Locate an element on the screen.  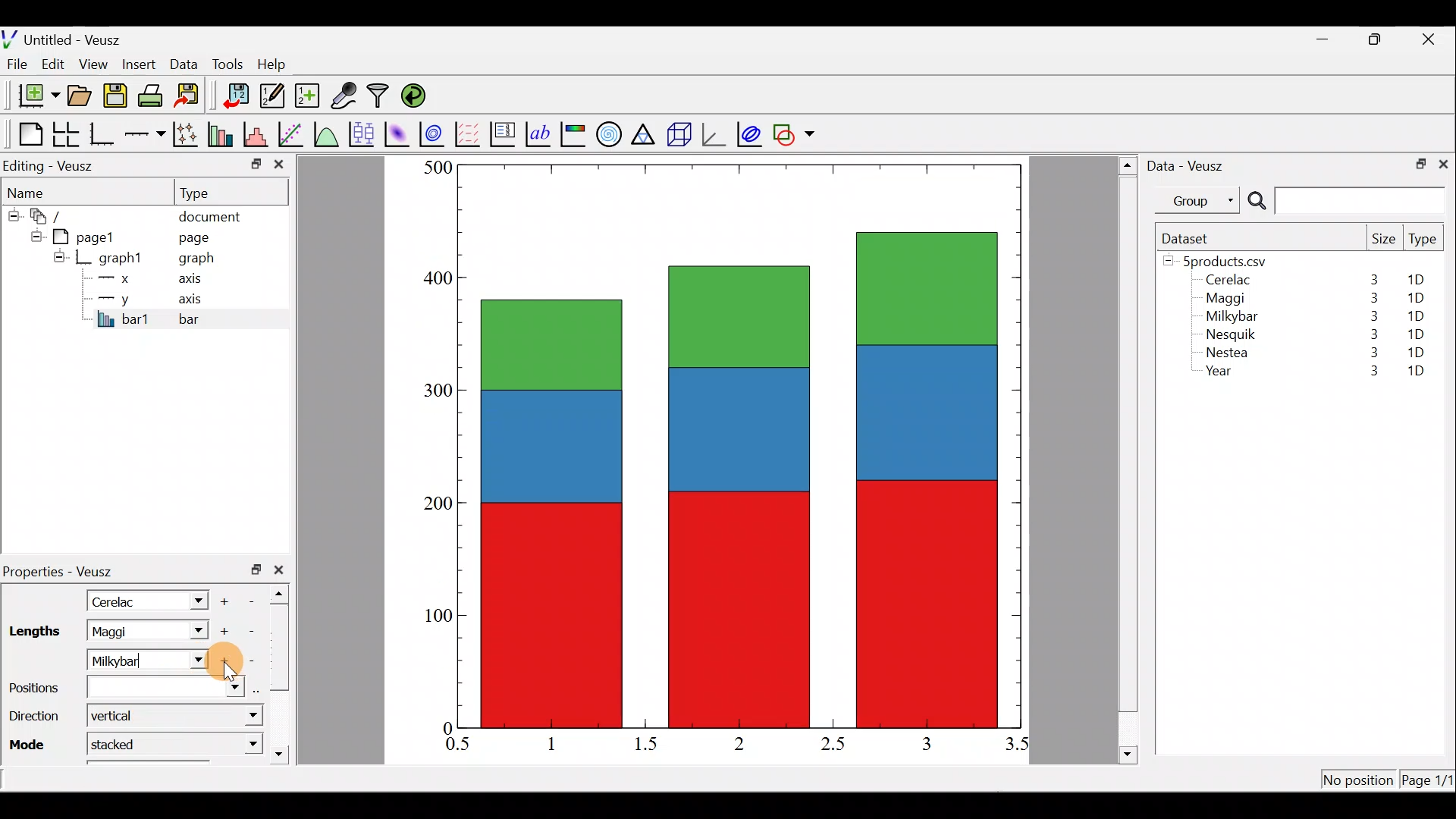
1D is located at coordinates (1418, 331).